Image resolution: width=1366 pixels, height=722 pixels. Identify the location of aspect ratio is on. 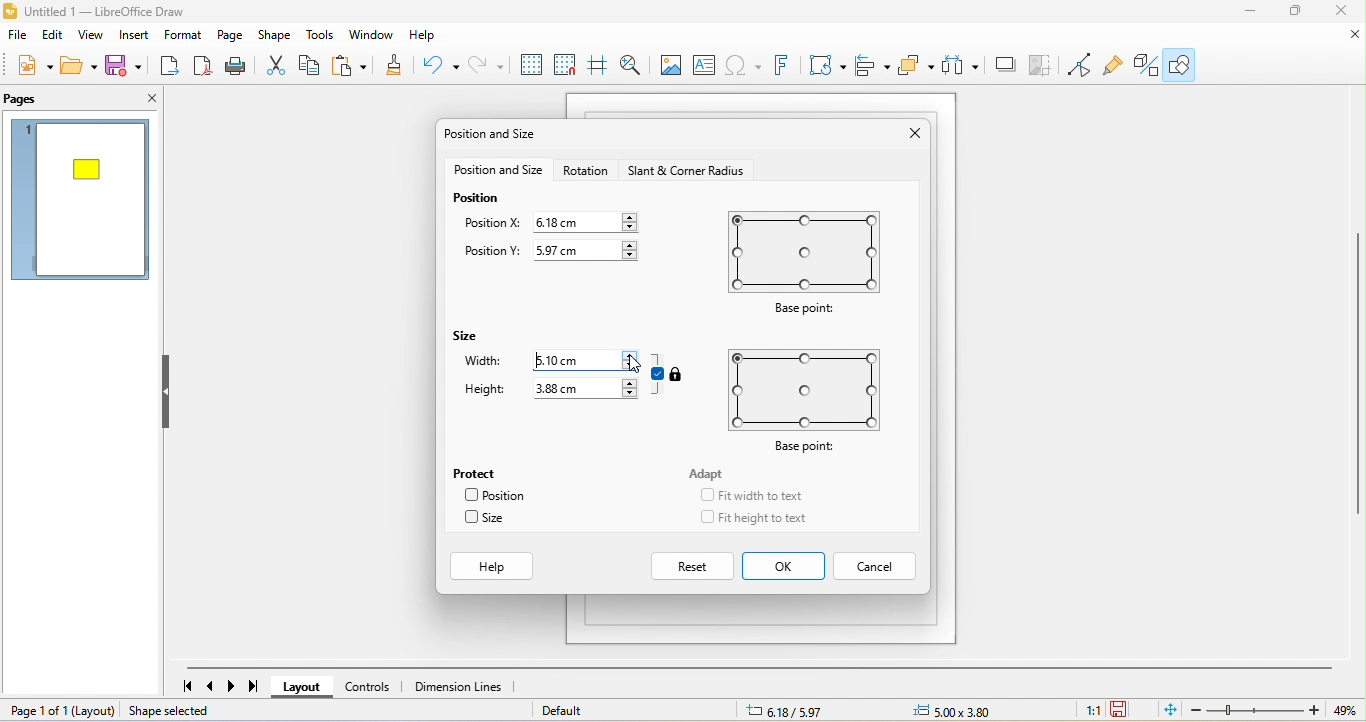
(657, 375).